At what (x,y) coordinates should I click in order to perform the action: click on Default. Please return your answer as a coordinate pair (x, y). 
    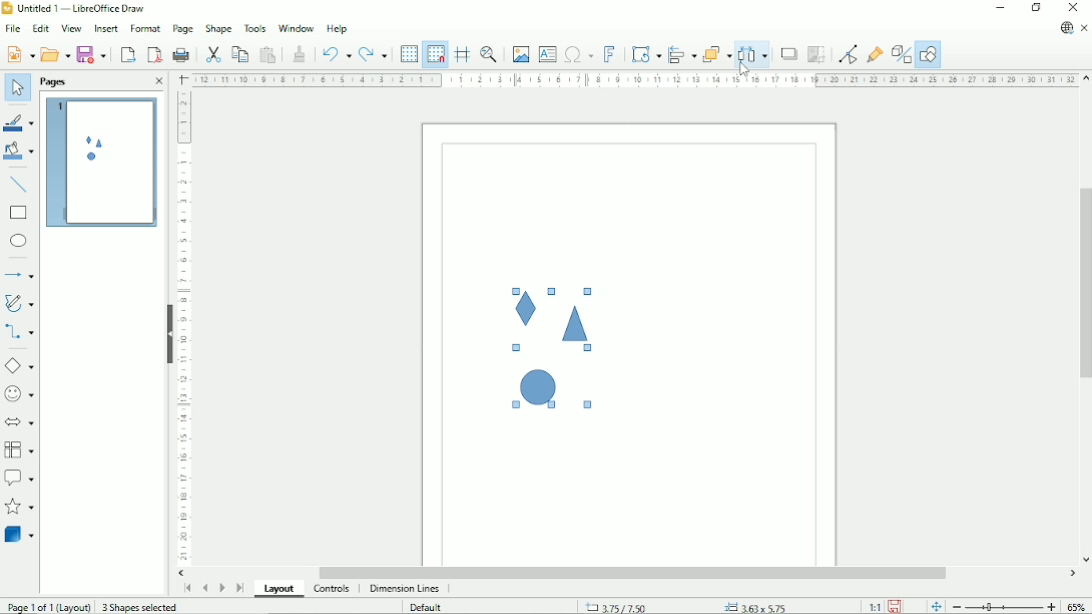
    Looking at the image, I should click on (425, 607).